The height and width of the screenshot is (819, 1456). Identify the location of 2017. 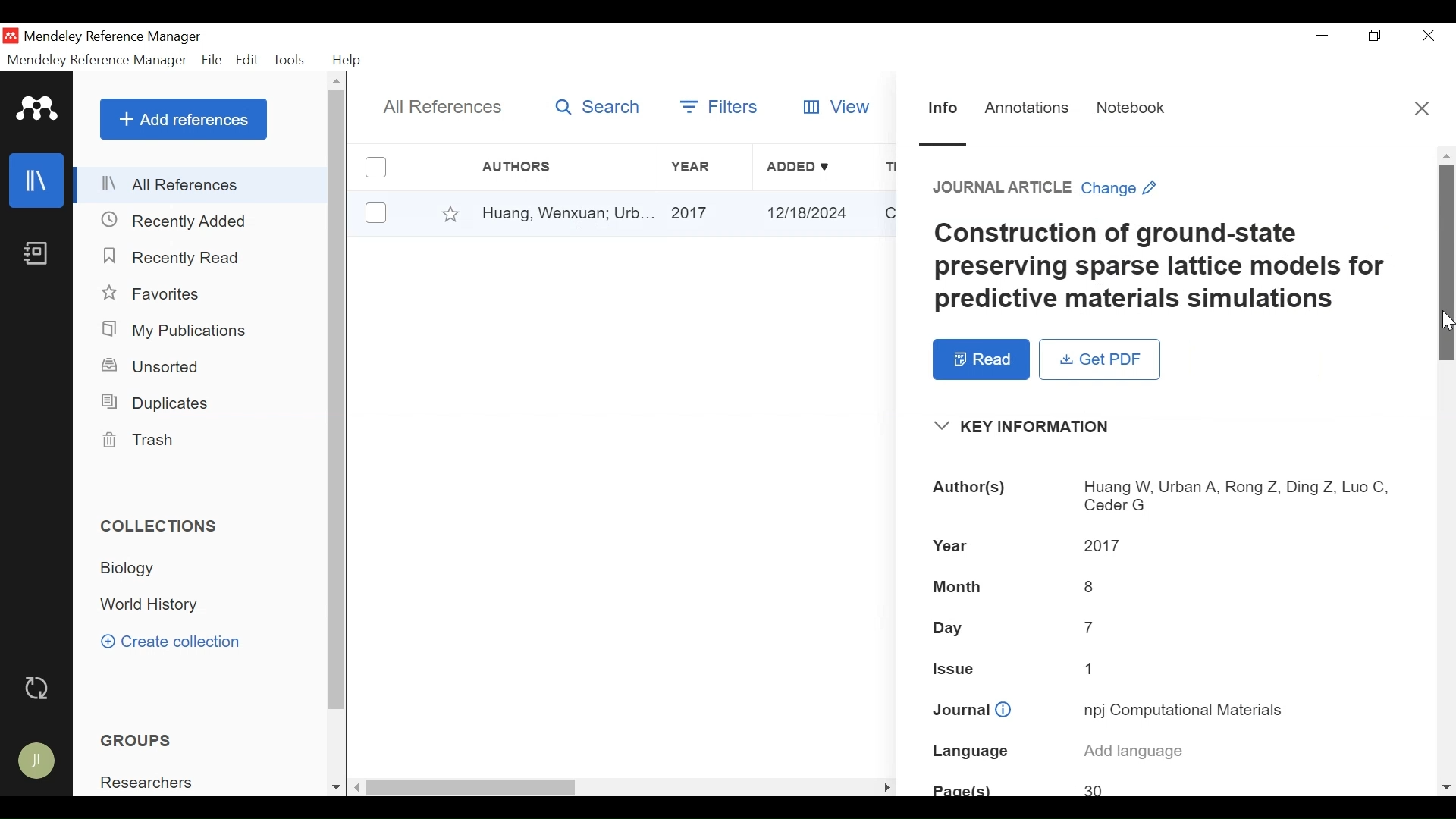
(1101, 544).